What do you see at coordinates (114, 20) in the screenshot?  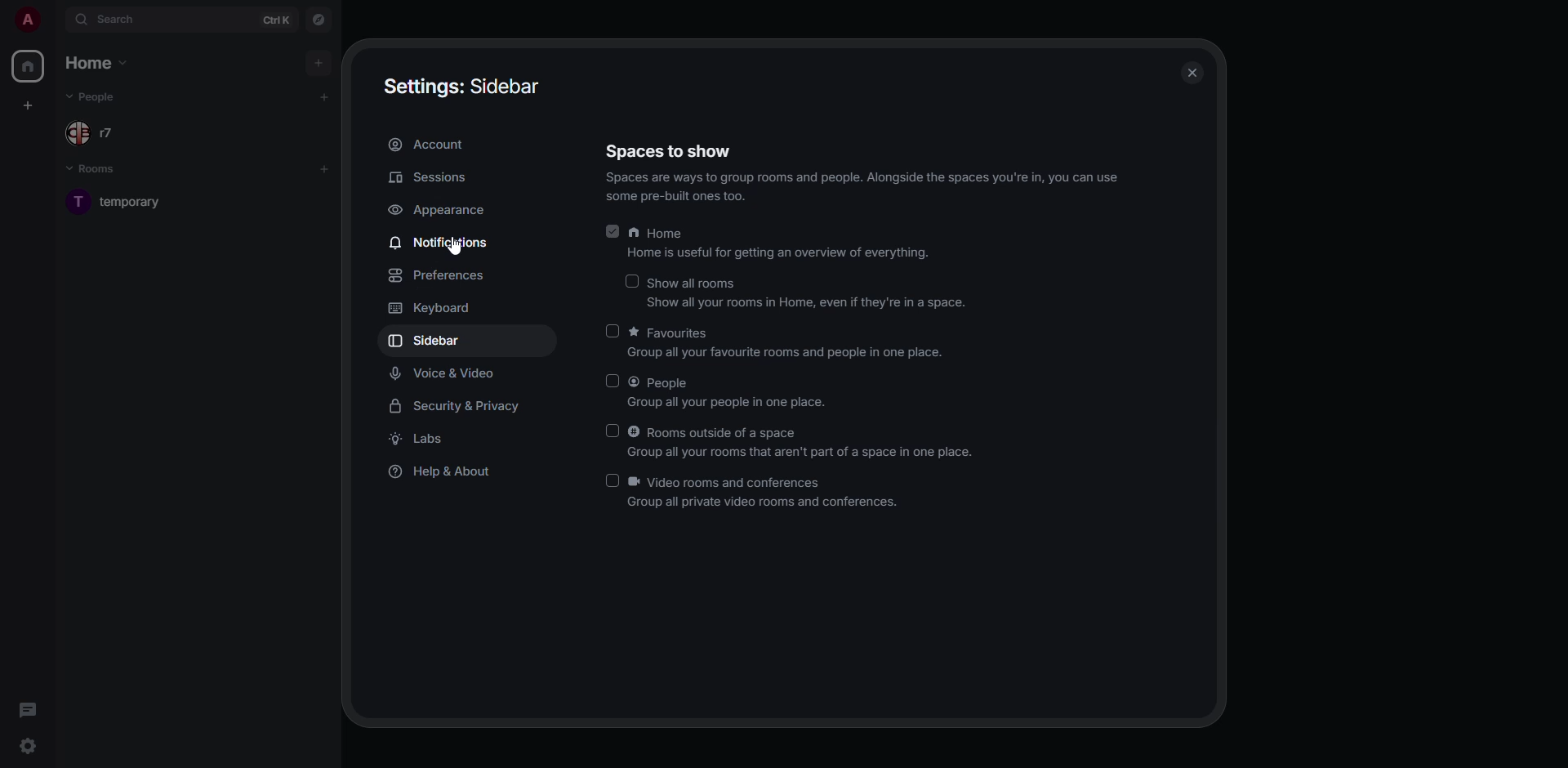 I see `search` at bounding box center [114, 20].